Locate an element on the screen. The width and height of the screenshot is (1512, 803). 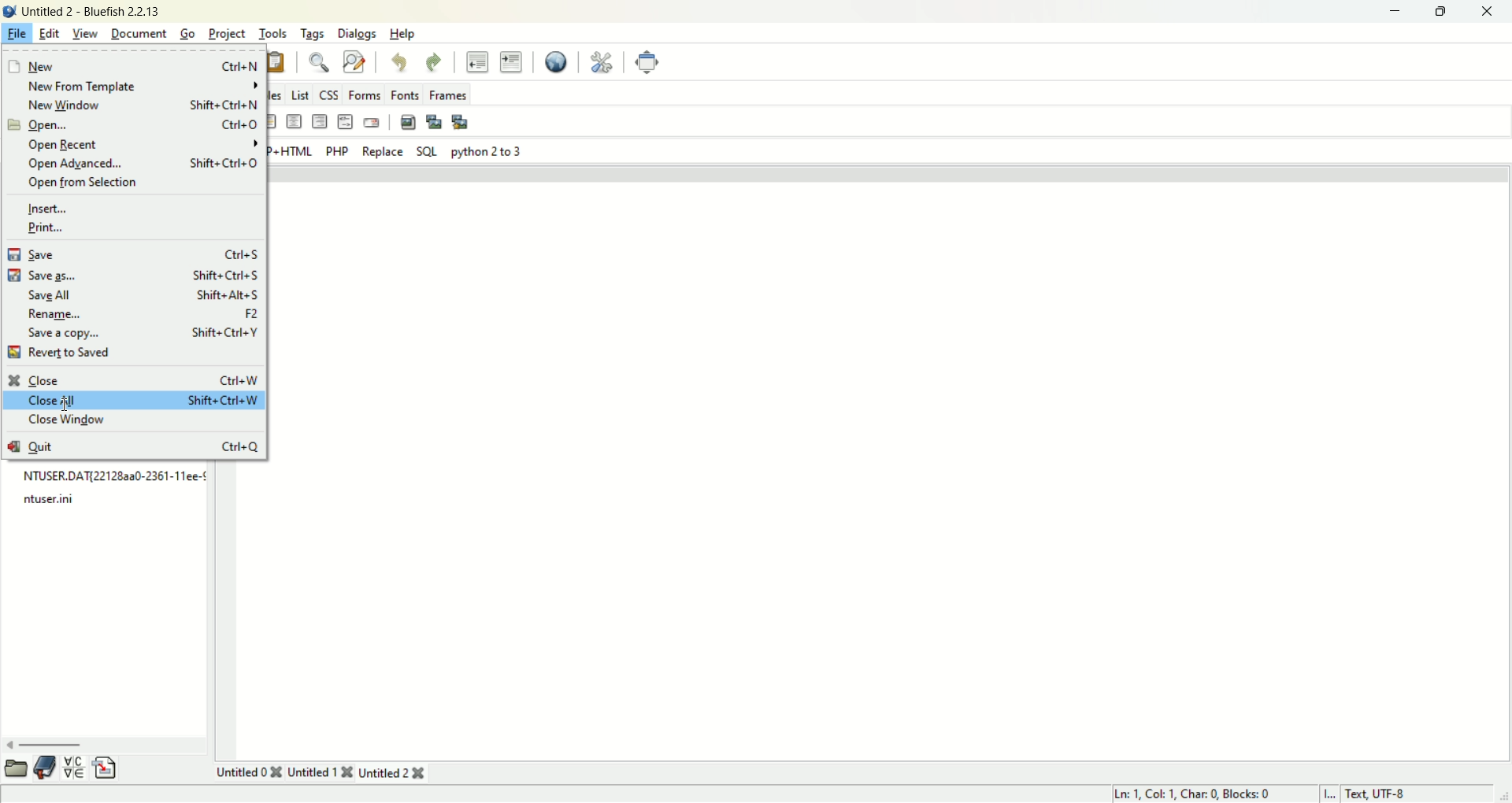
edit is located at coordinates (49, 33).